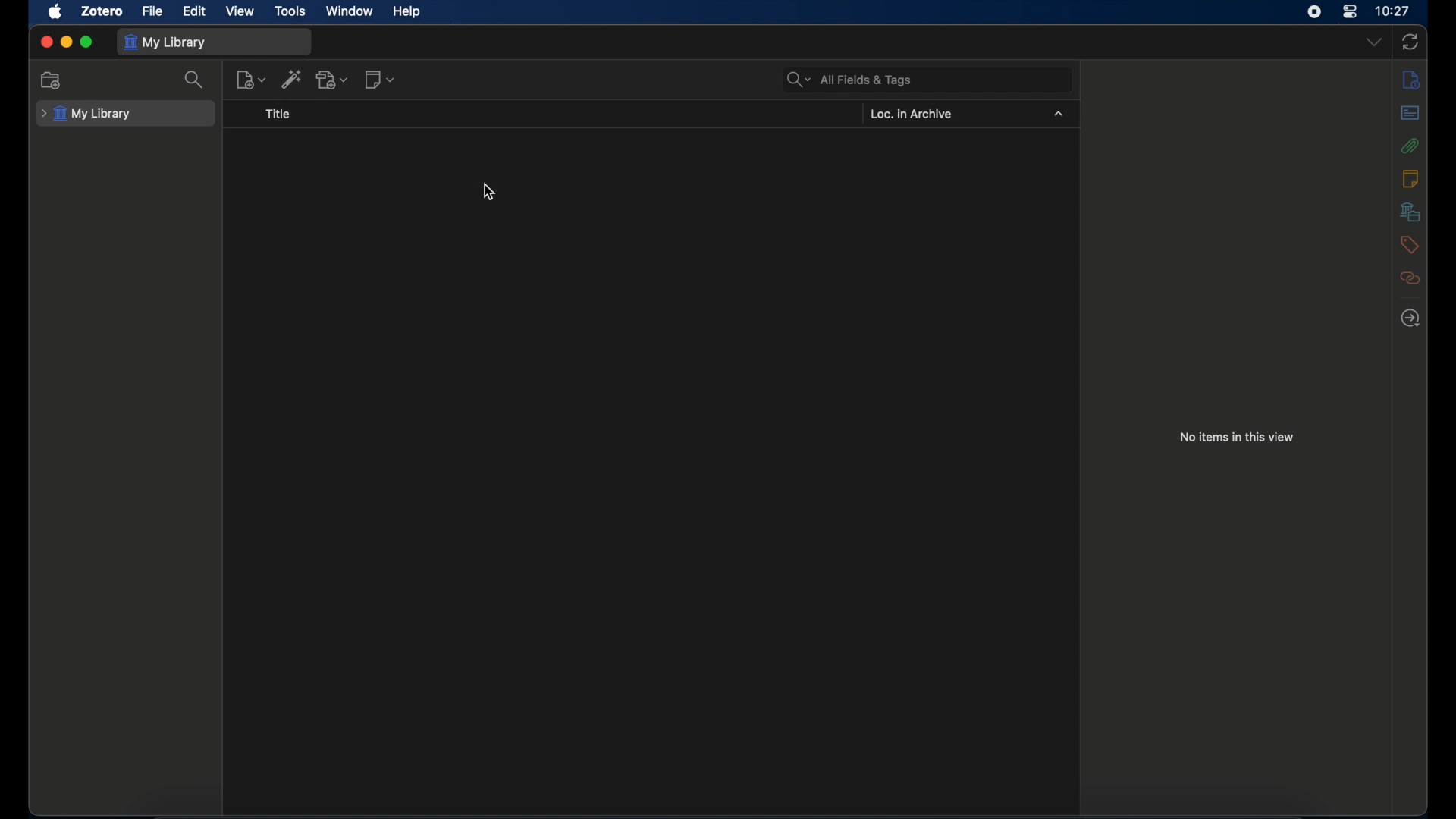 The image size is (1456, 819). Describe the element at coordinates (278, 115) in the screenshot. I see `title` at that location.